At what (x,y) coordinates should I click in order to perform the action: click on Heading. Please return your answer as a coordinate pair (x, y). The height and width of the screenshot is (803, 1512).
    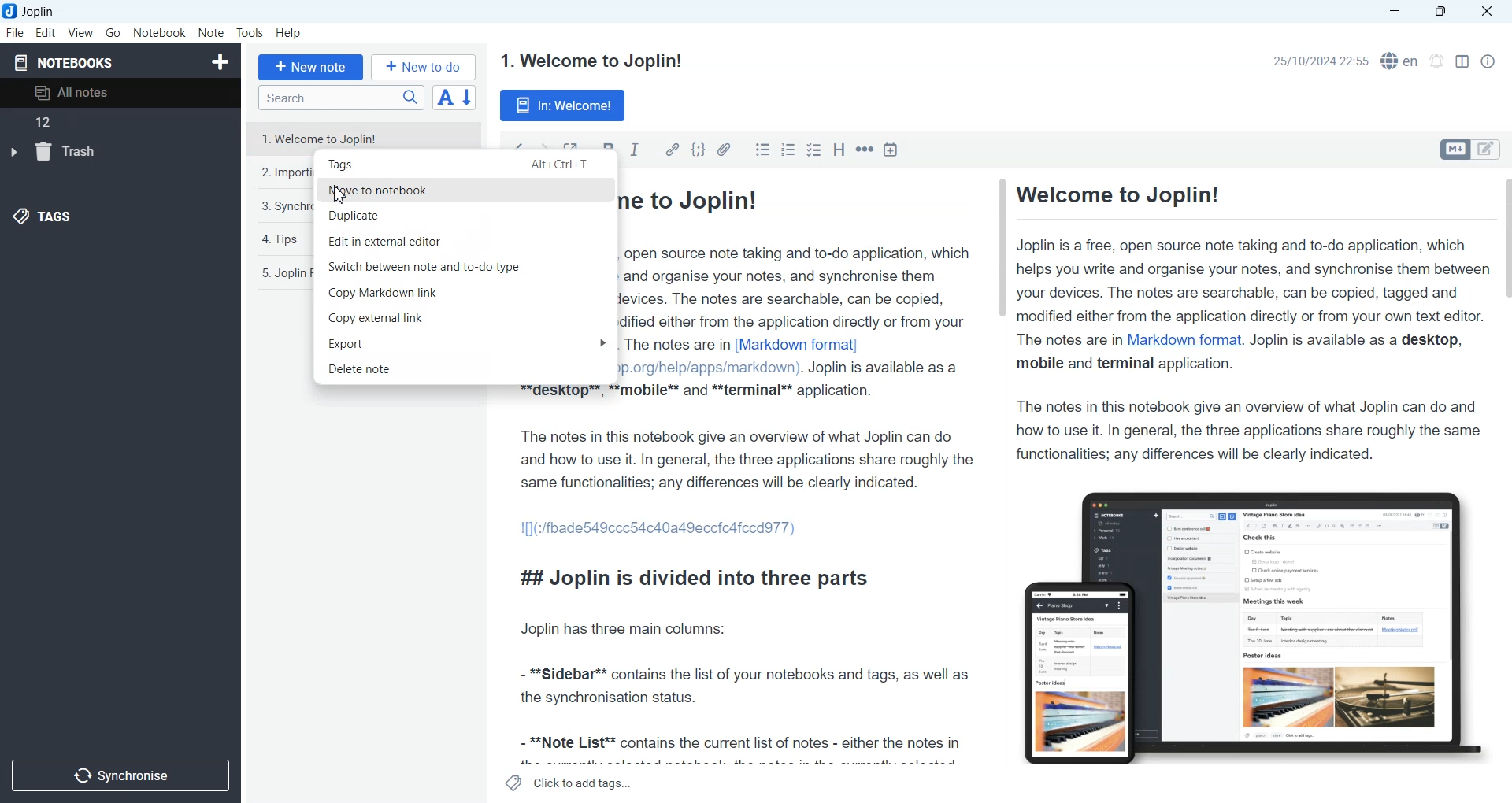
    Looking at the image, I should click on (840, 150).